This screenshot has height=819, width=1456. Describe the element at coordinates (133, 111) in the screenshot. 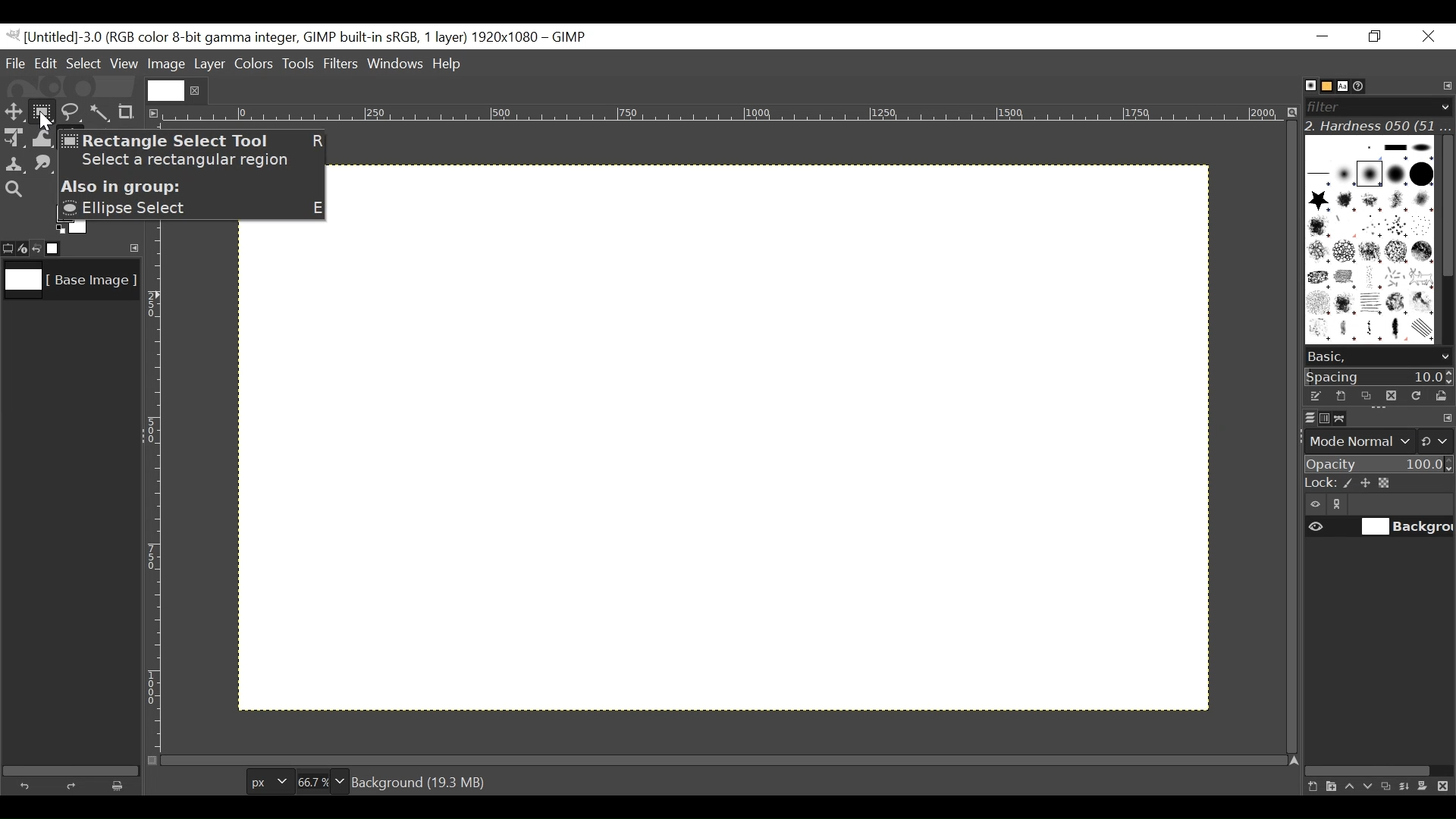

I see `Crop tool` at that location.